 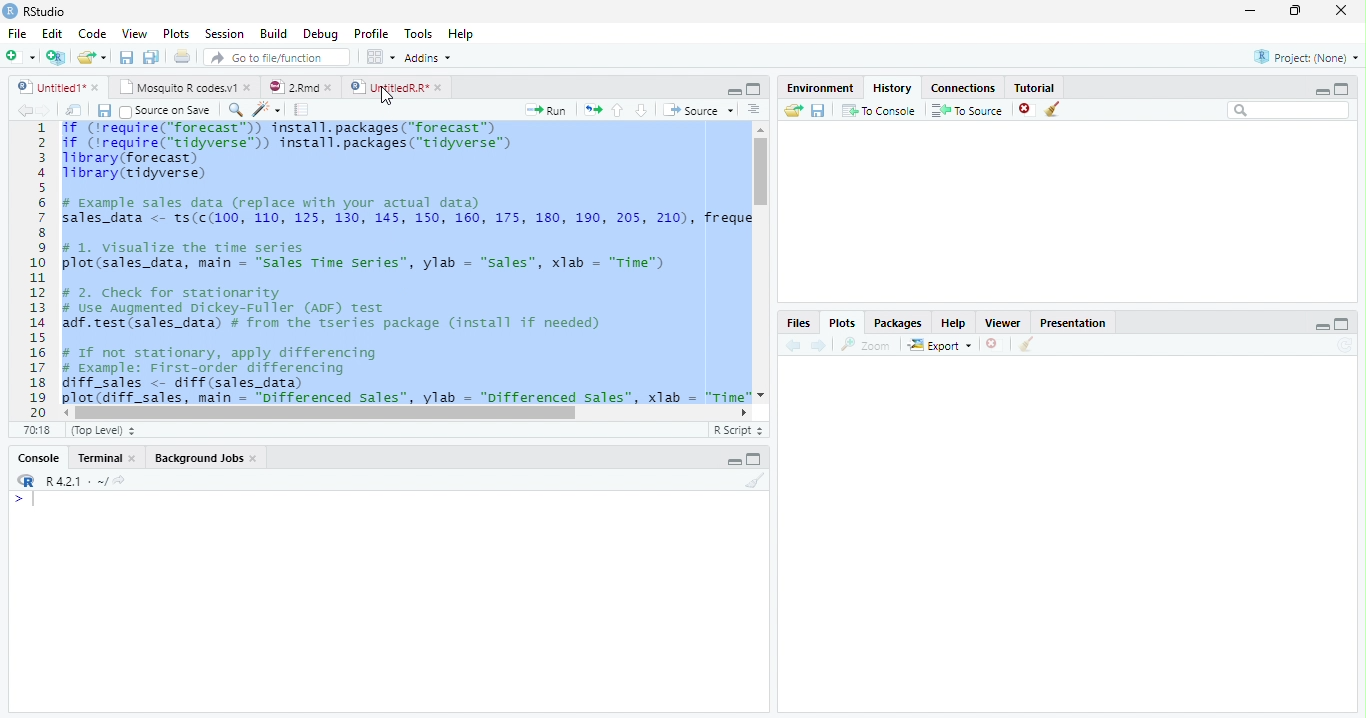 I want to click on Re-run, so click(x=591, y=110).